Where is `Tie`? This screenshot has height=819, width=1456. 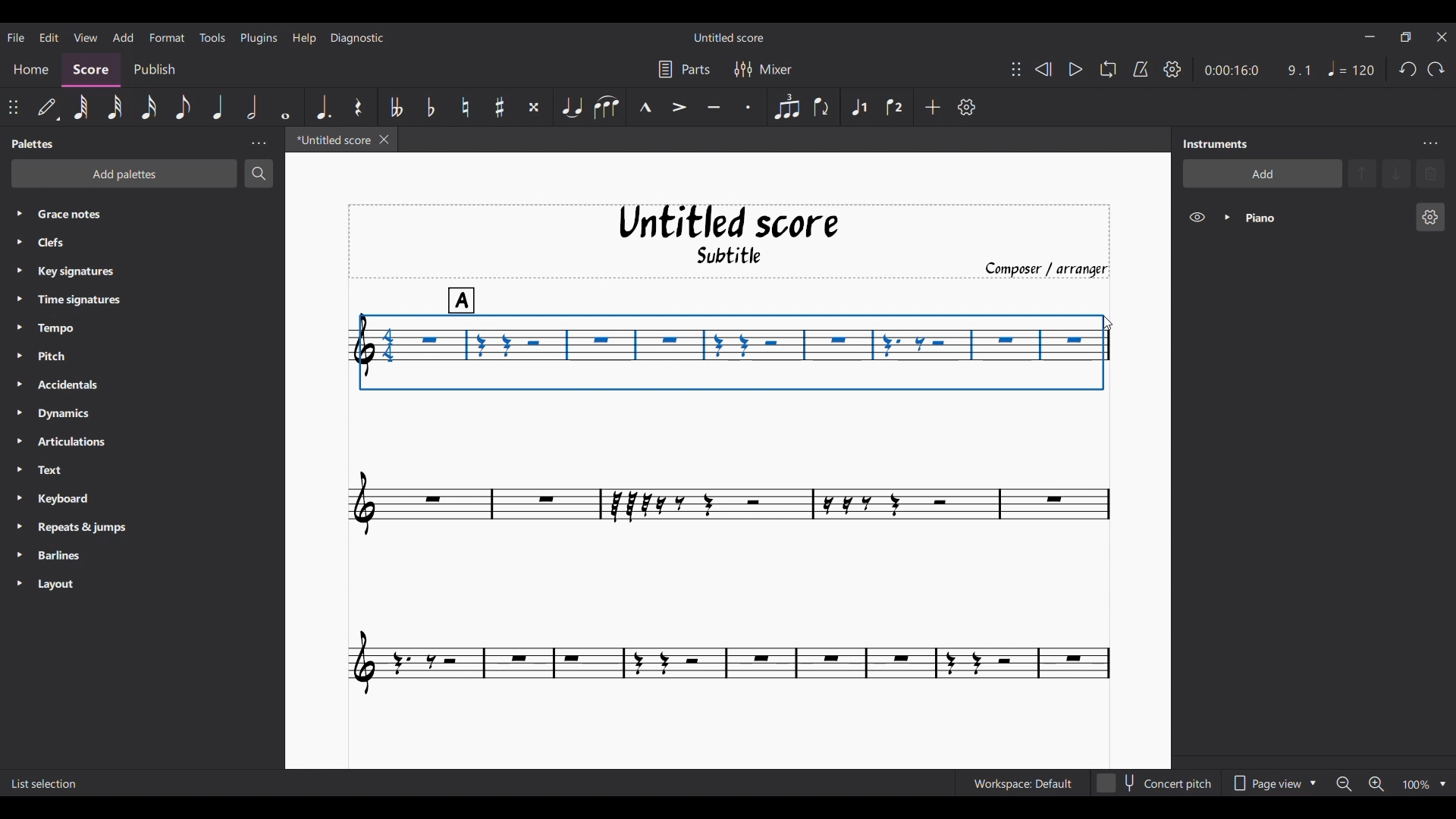
Tie is located at coordinates (571, 106).